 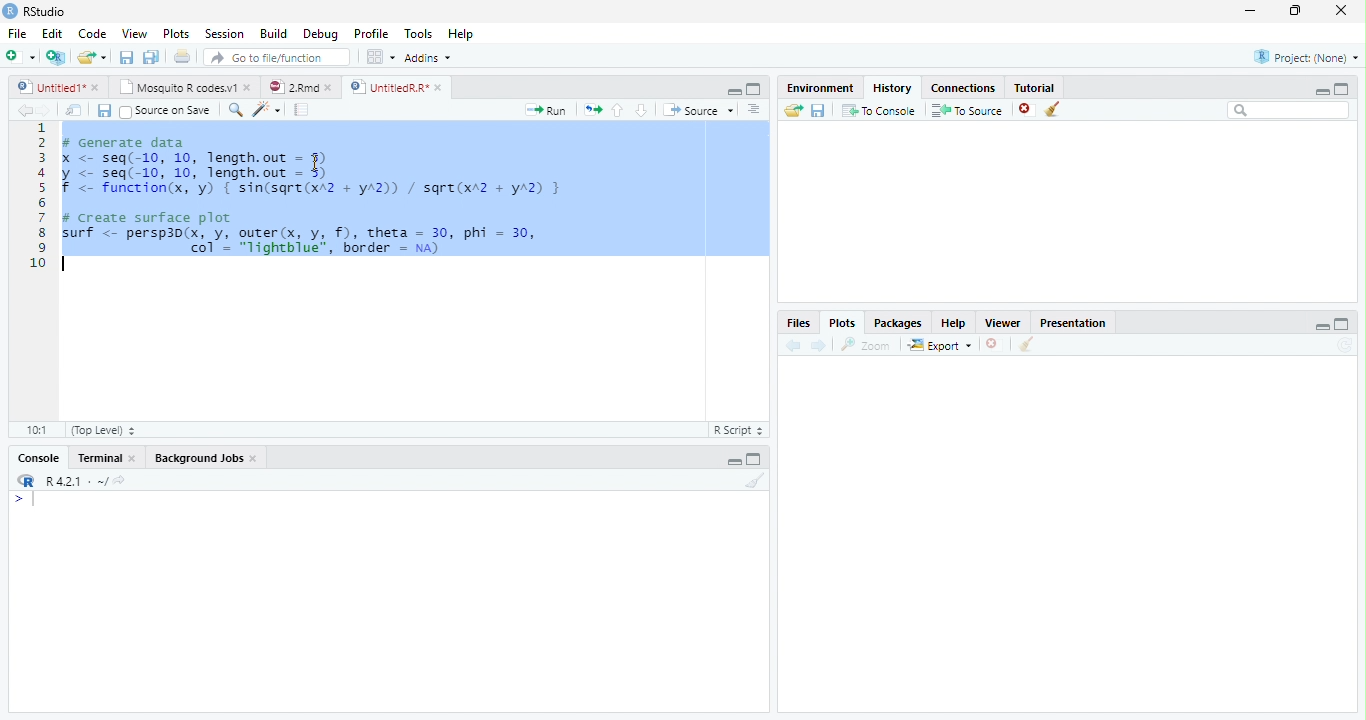 I want to click on Source, so click(x=697, y=109).